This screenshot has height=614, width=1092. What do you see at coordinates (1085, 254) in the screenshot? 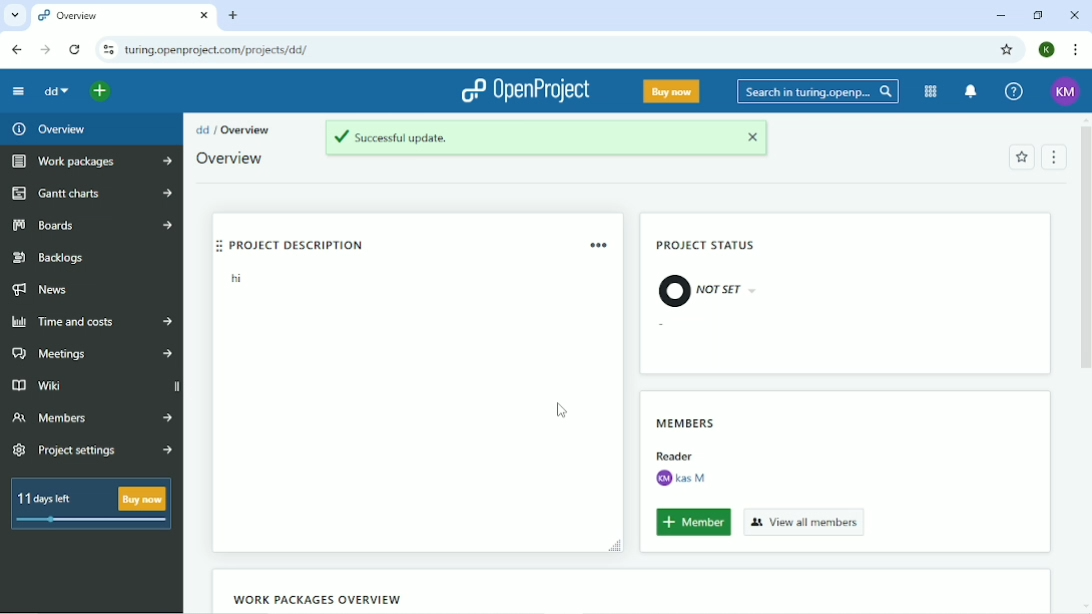
I see `Vertical scrollbar` at bounding box center [1085, 254].